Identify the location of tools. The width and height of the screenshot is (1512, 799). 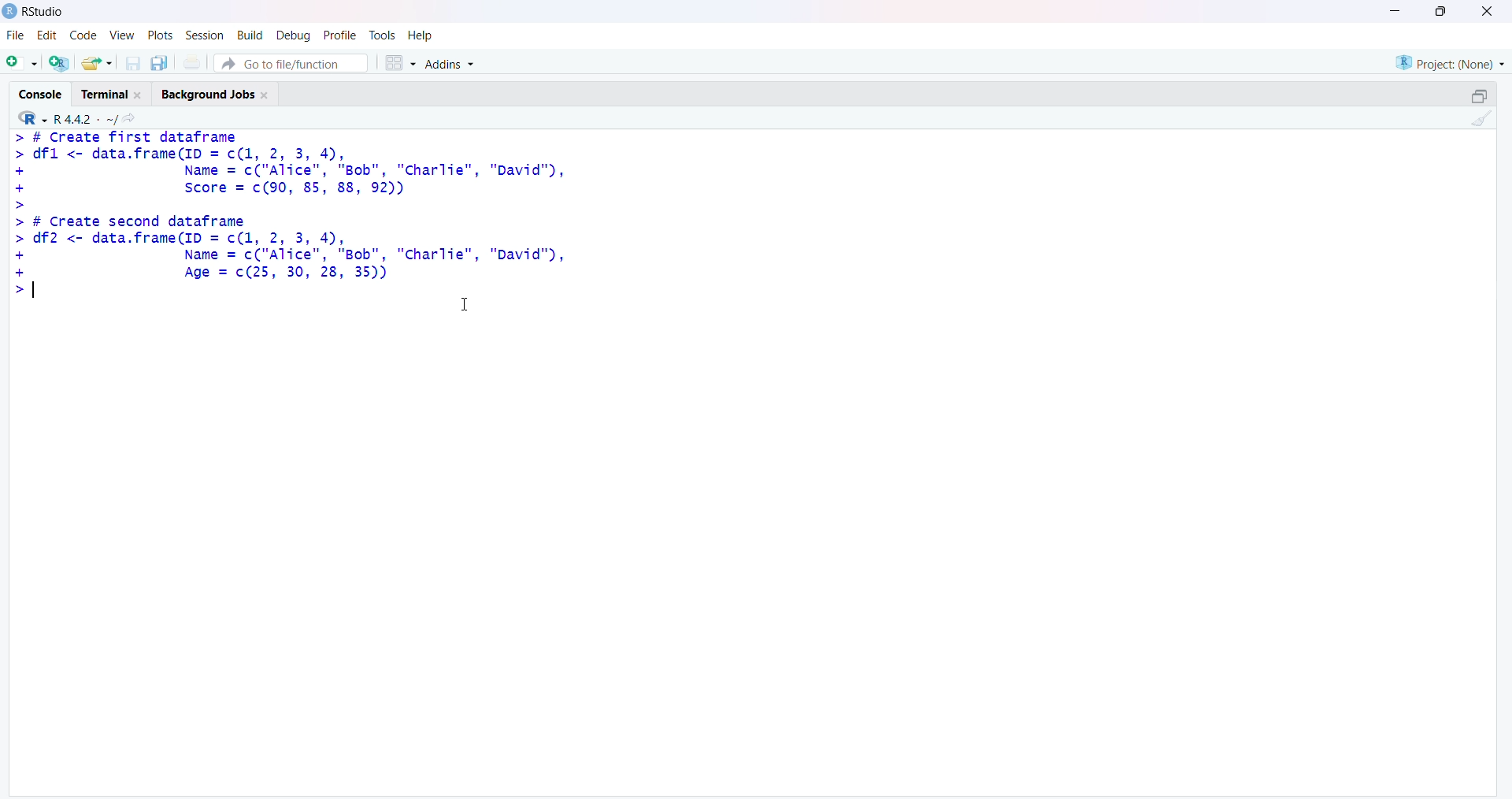
(383, 35).